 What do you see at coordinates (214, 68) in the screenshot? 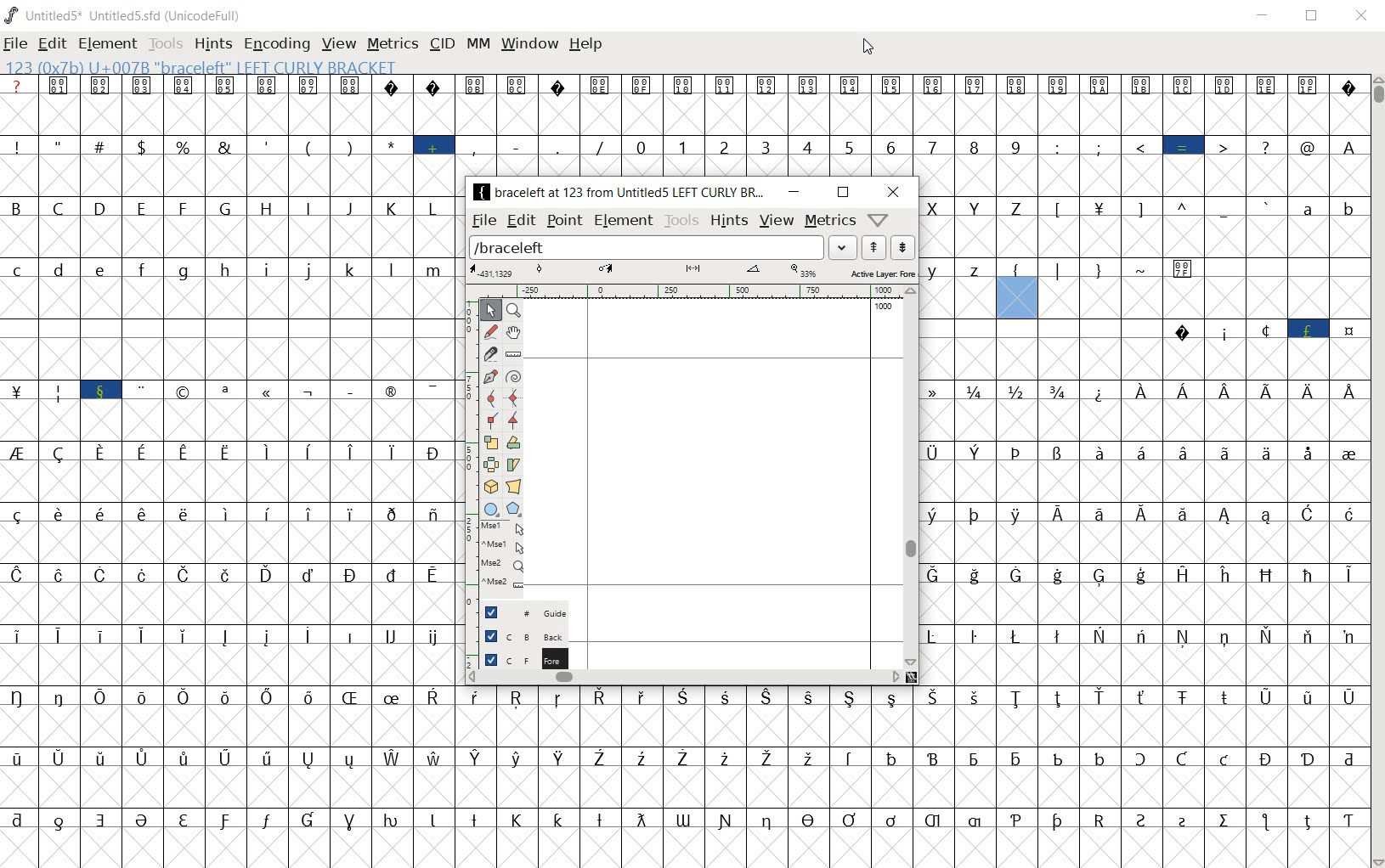
I see `123 (0x7b) U+007B "braceleft" LEFT CURLY BRACKET` at bounding box center [214, 68].